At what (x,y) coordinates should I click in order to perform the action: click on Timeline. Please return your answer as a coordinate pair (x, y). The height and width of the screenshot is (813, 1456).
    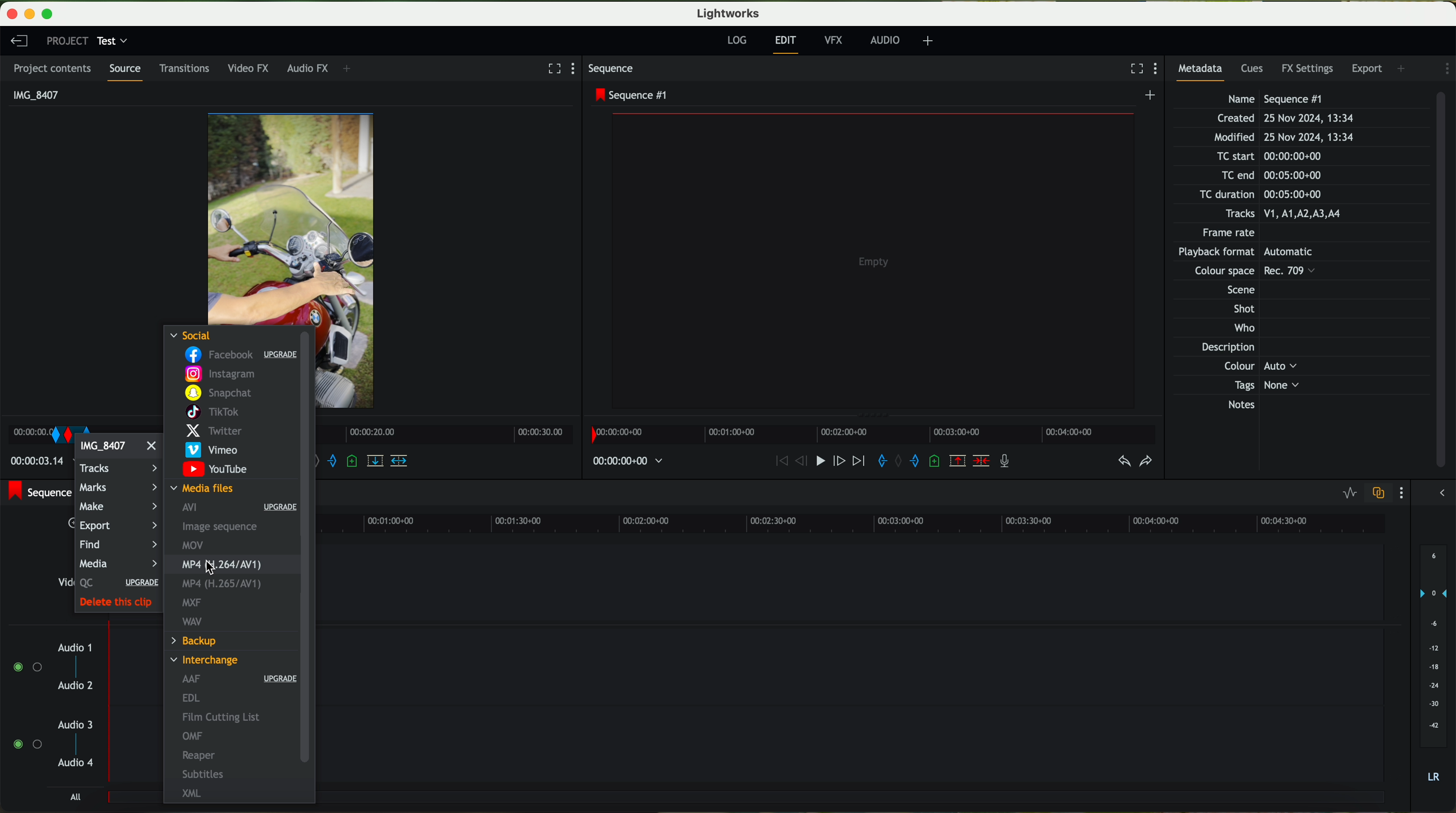
    Looking at the image, I should click on (442, 435).